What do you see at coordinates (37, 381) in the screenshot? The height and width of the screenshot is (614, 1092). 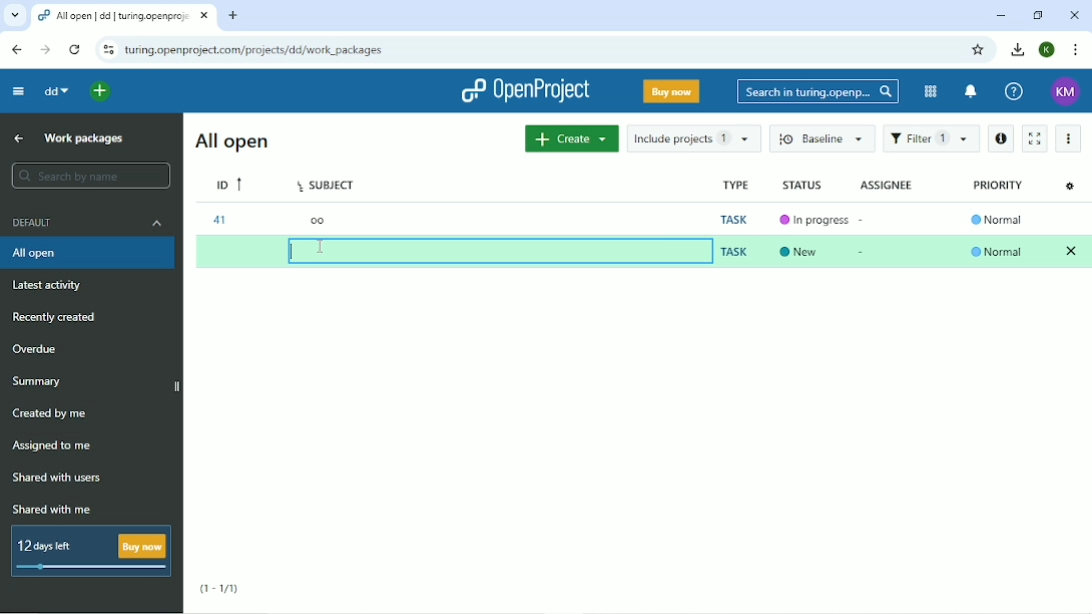 I see `Summary` at bounding box center [37, 381].